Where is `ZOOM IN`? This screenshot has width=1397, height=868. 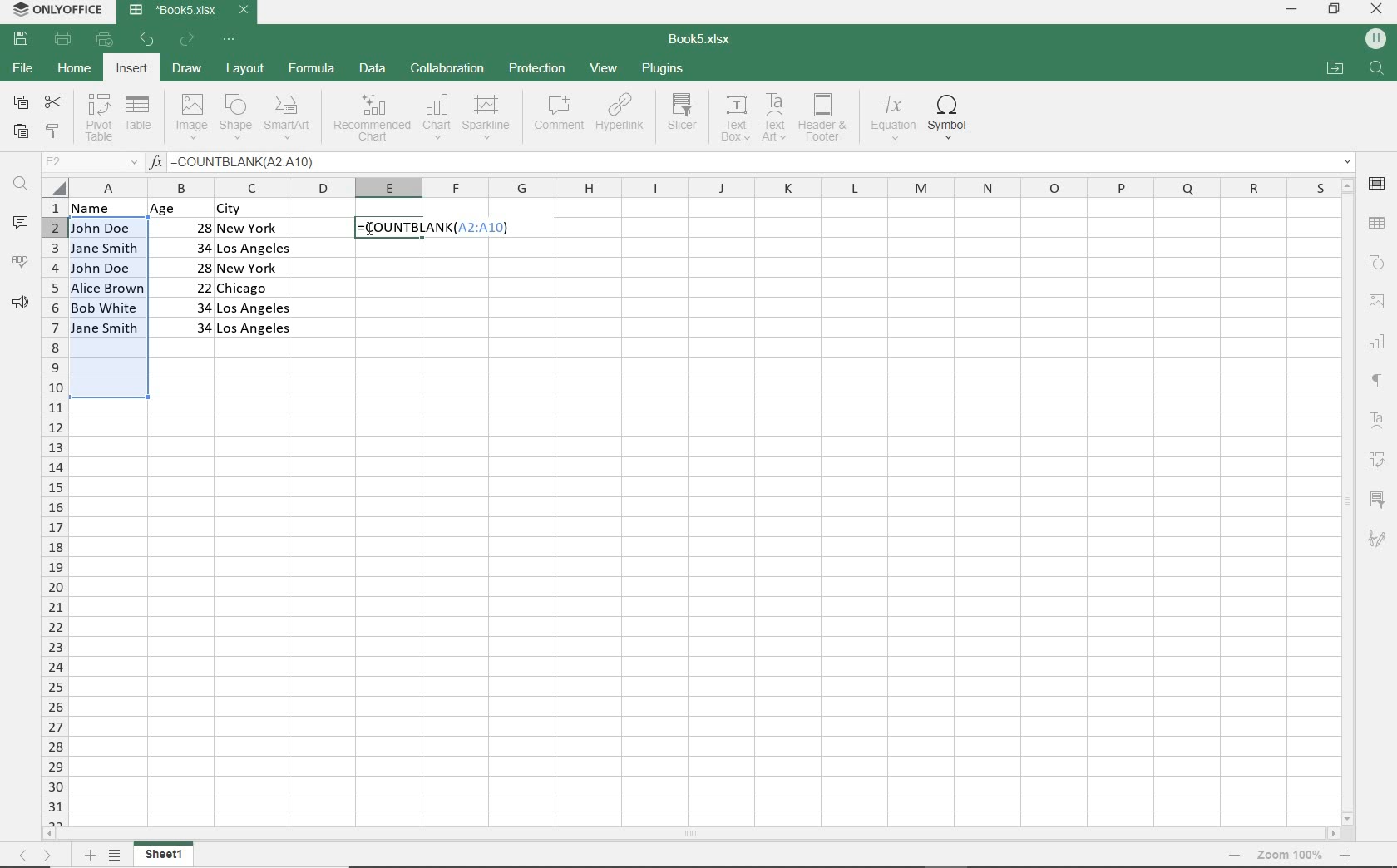
ZOOM IN is located at coordinates (1348, 855).